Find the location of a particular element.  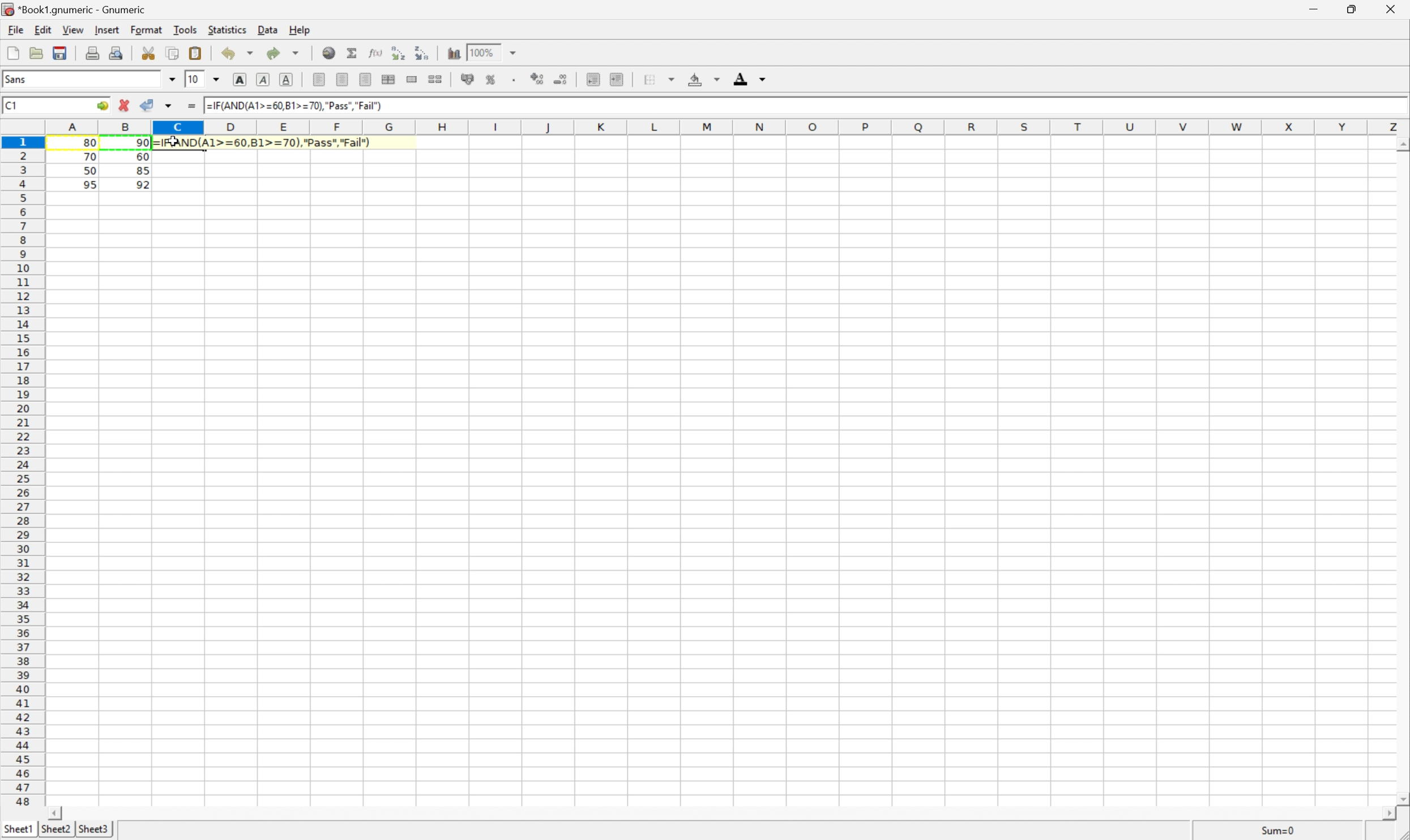

Print the current file is located at coordinates (91, 53).